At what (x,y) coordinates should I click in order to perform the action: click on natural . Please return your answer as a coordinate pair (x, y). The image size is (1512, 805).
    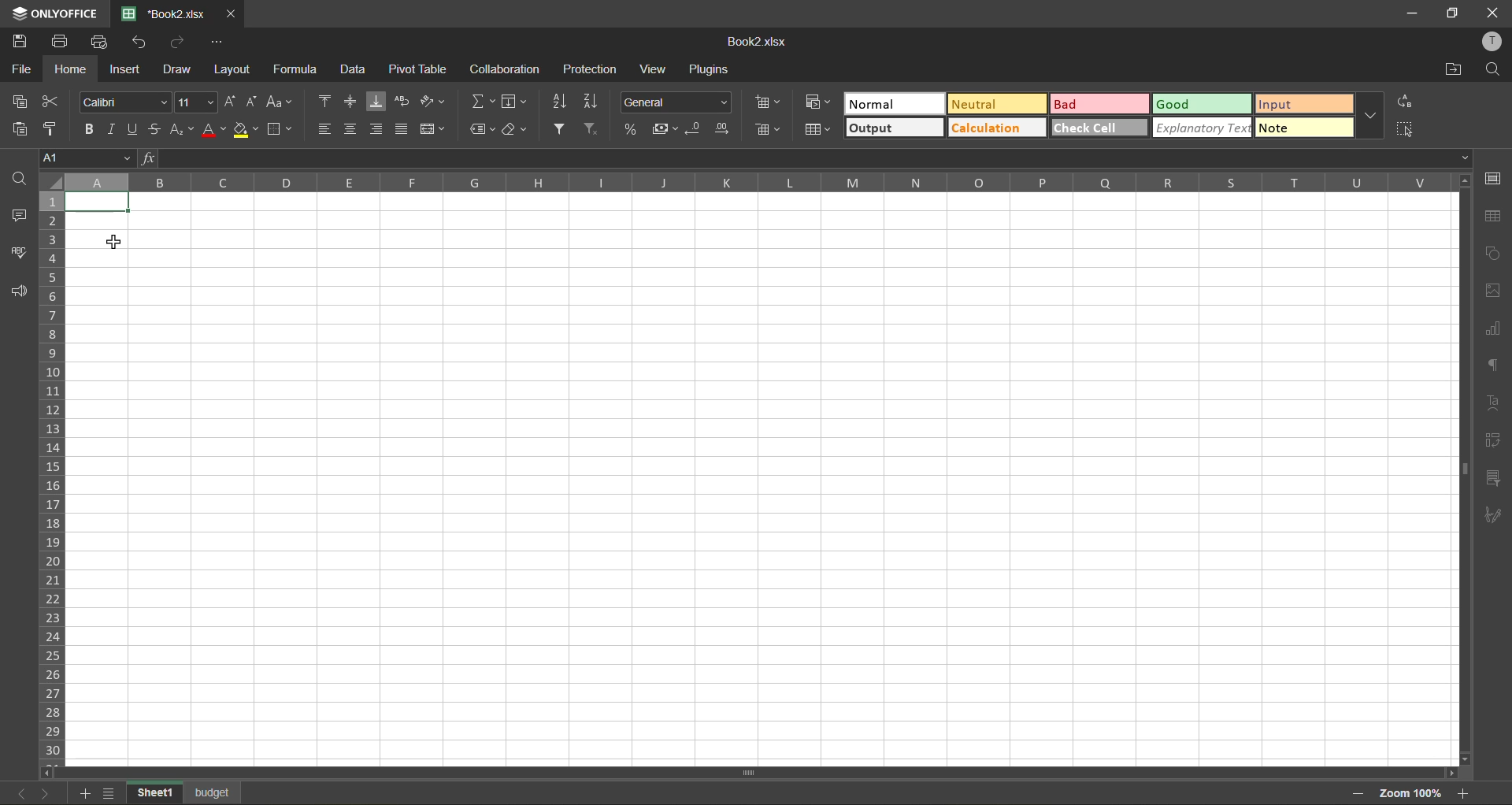
    Looking at the image, I should click on (895, 102).